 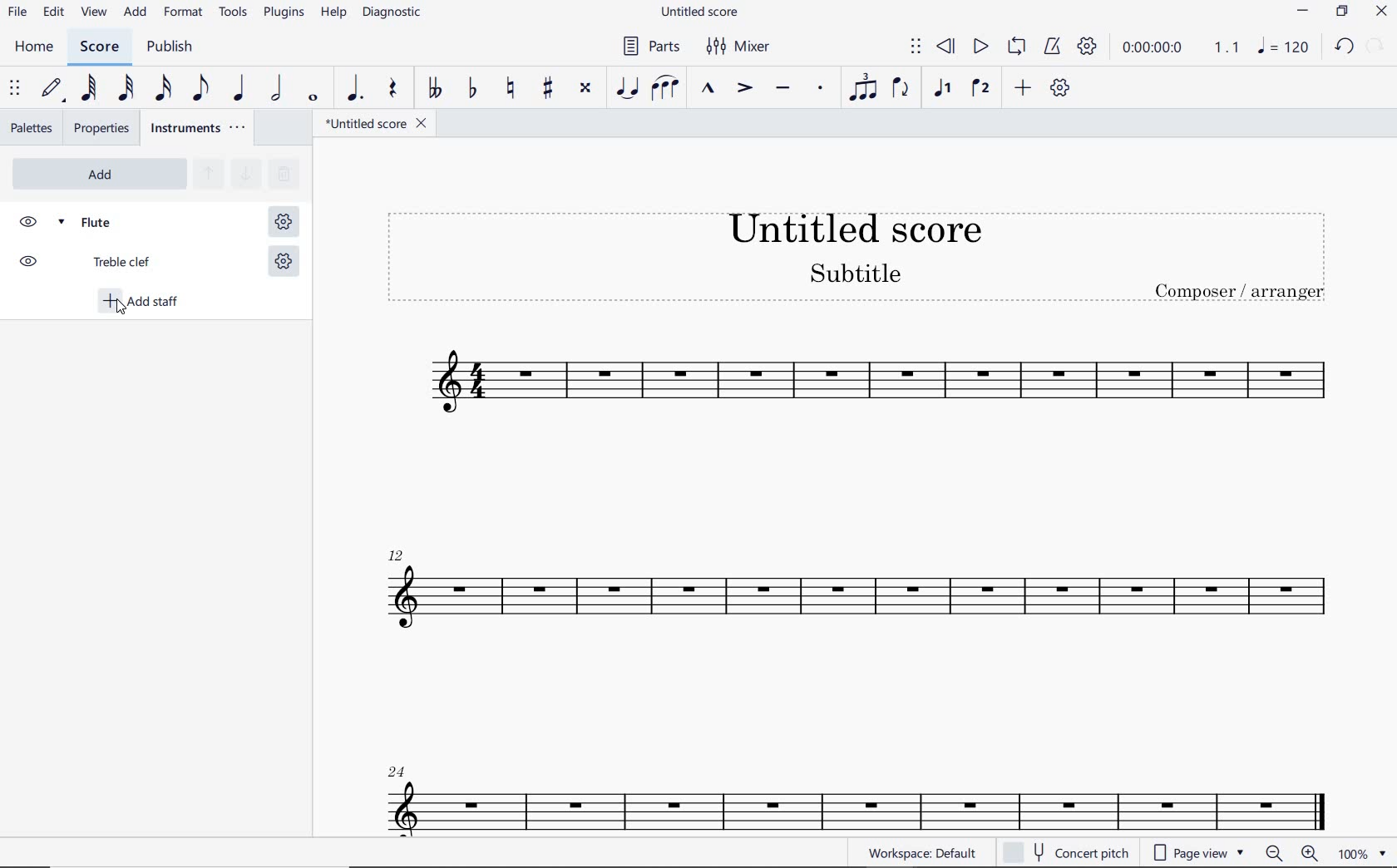 I want to click on PLAYBACK SETTINGS, so click(x=1087, y=47).